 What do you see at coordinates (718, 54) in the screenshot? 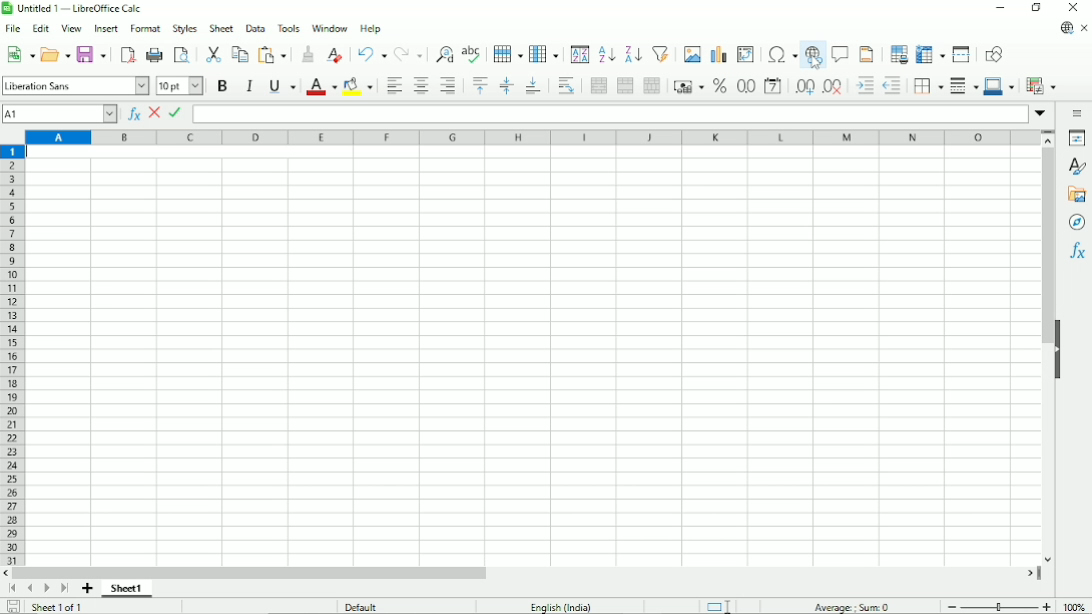
I see `Insert chart` at bounding box center [718, 54].